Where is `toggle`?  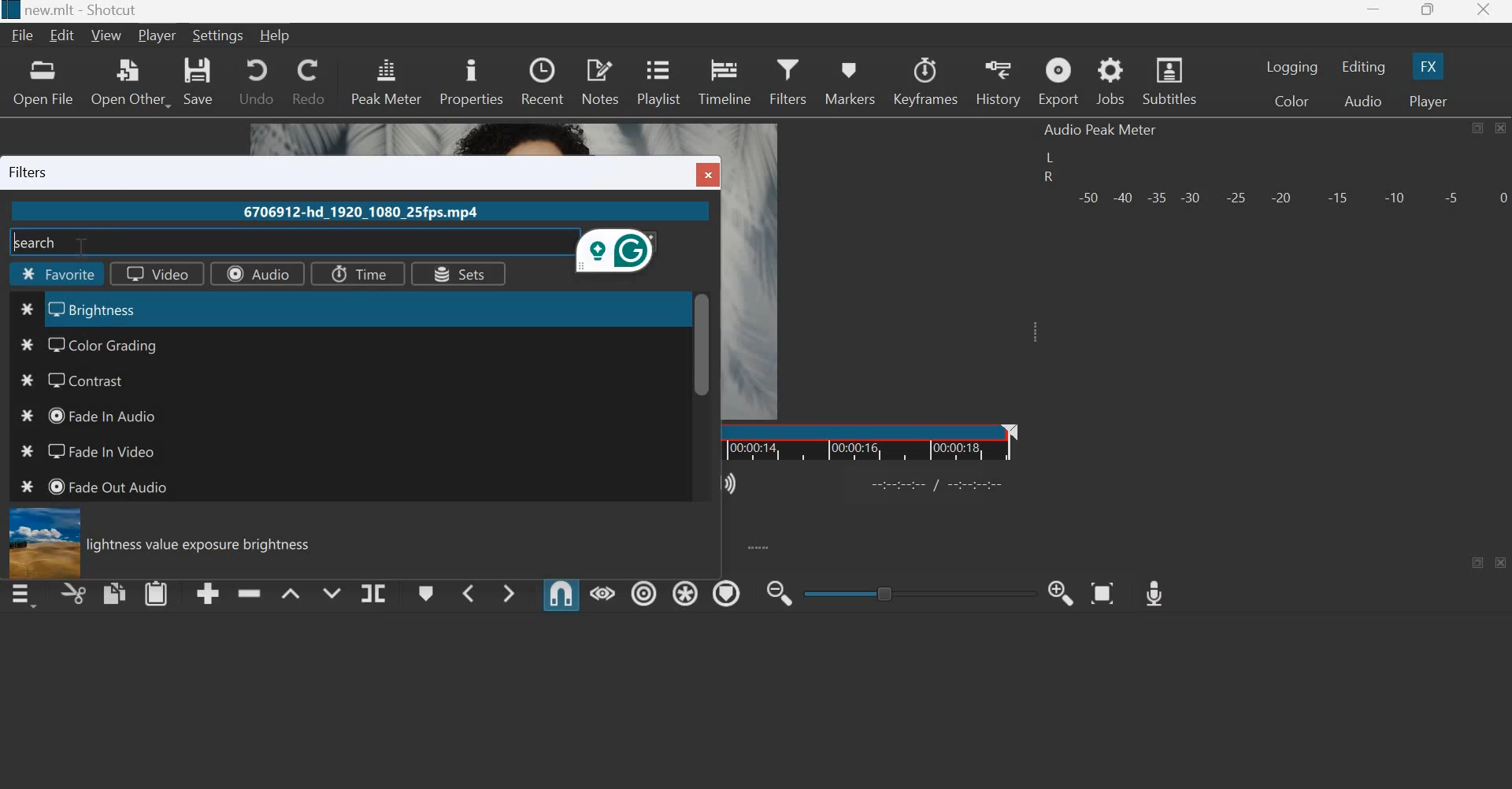
toggle is located at coordinates (921, 591).